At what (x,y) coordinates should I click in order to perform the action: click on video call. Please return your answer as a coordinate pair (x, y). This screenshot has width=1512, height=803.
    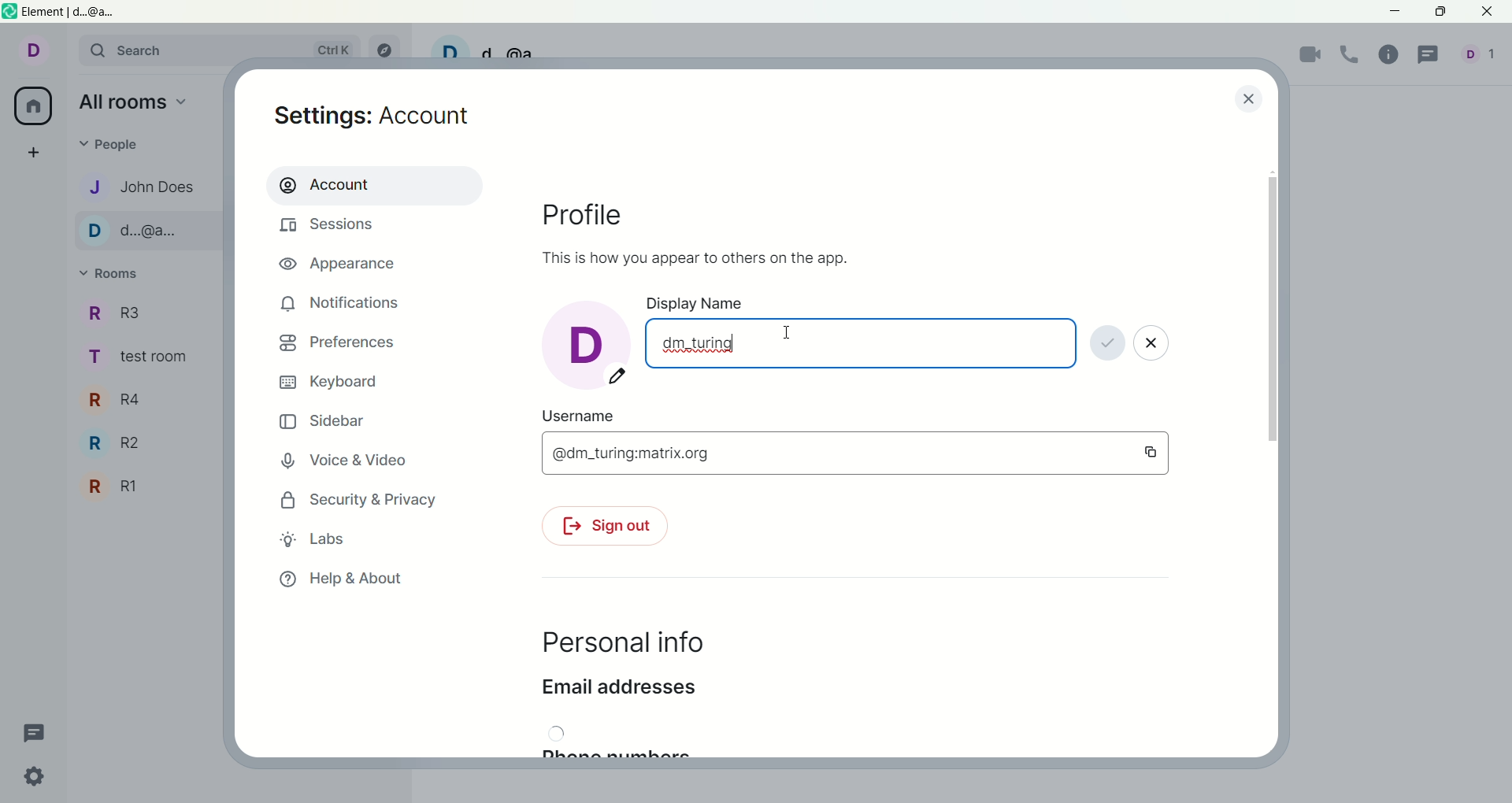
    Looking at the image, I should click on (1311, 57).